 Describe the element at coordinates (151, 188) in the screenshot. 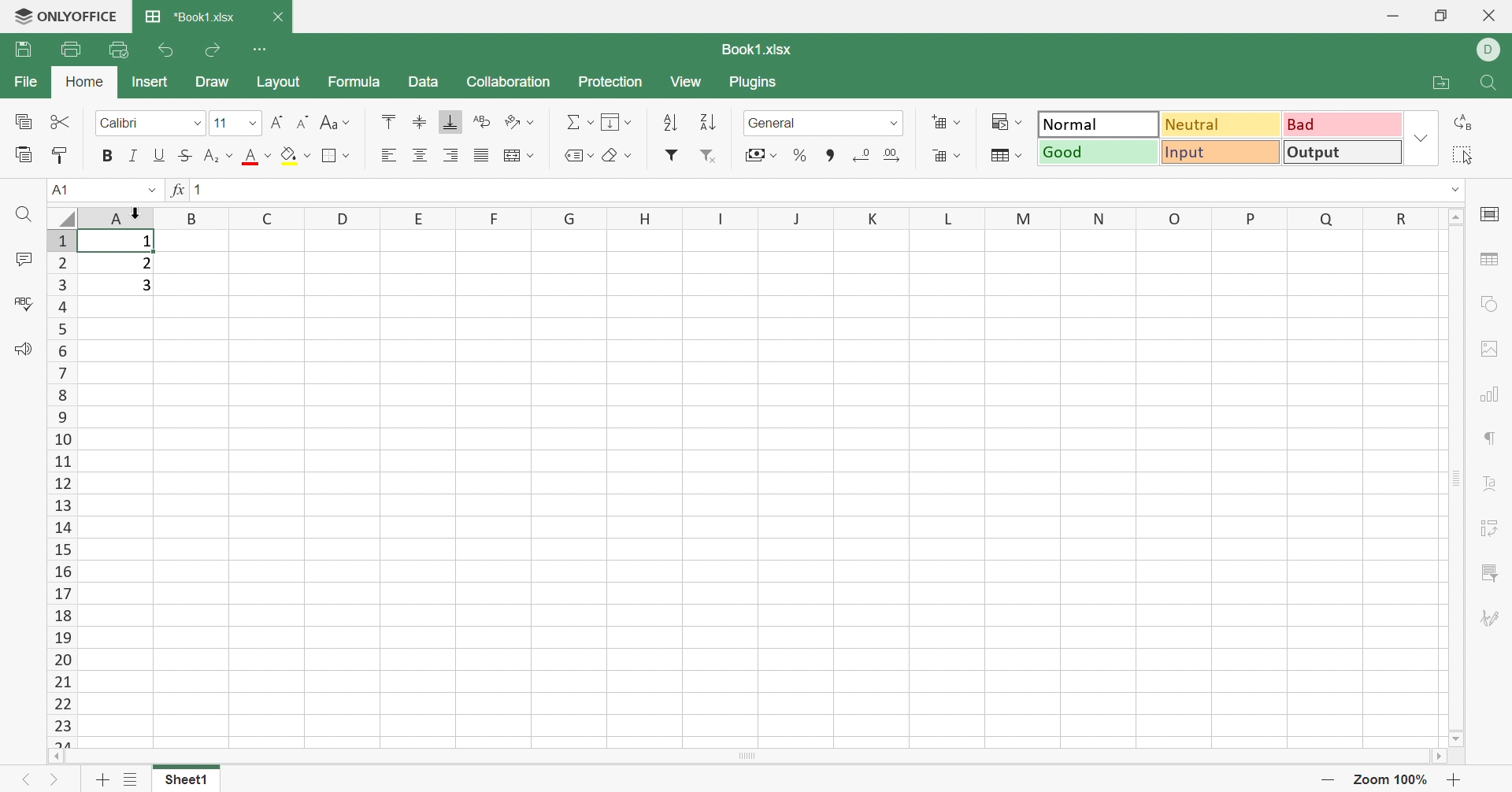

I see `Drop down` at that location.